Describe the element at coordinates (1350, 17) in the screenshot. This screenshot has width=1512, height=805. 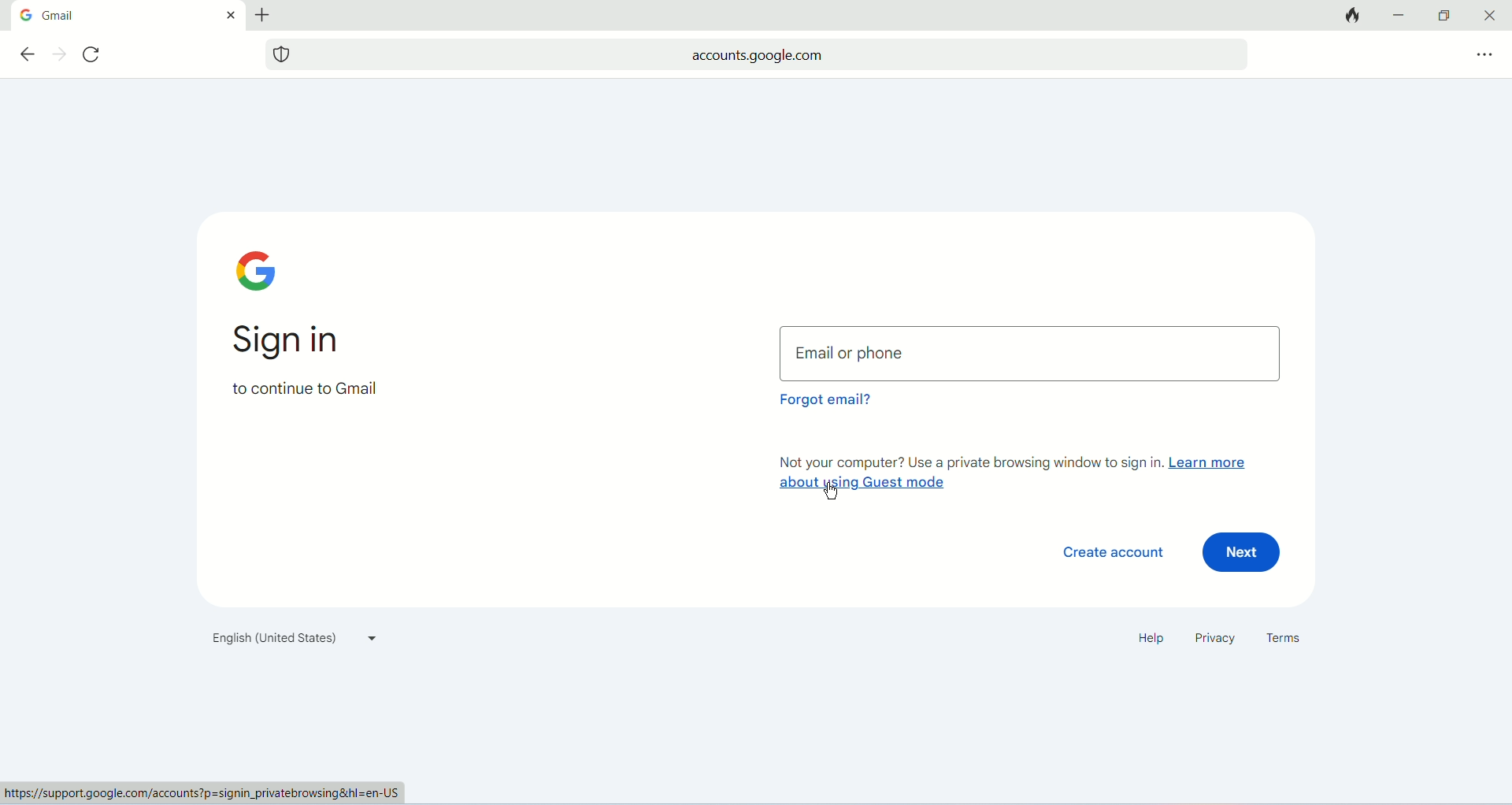
I see `close tabs and clear data` at that location.